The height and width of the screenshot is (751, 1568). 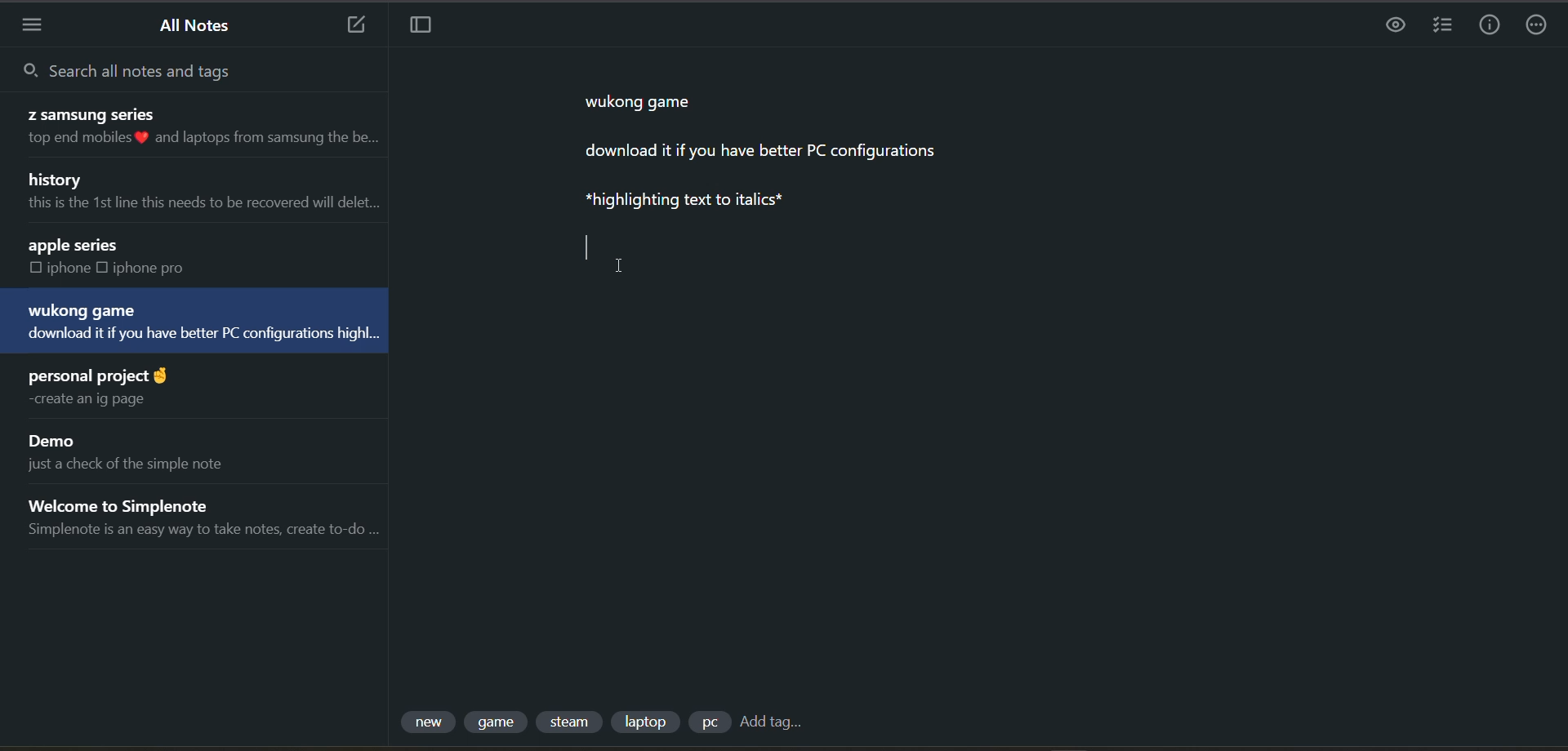 What do you see at coordinates (194, 127) in the screenshot?
I see `note title and preview` at bounding box center [194, 127].